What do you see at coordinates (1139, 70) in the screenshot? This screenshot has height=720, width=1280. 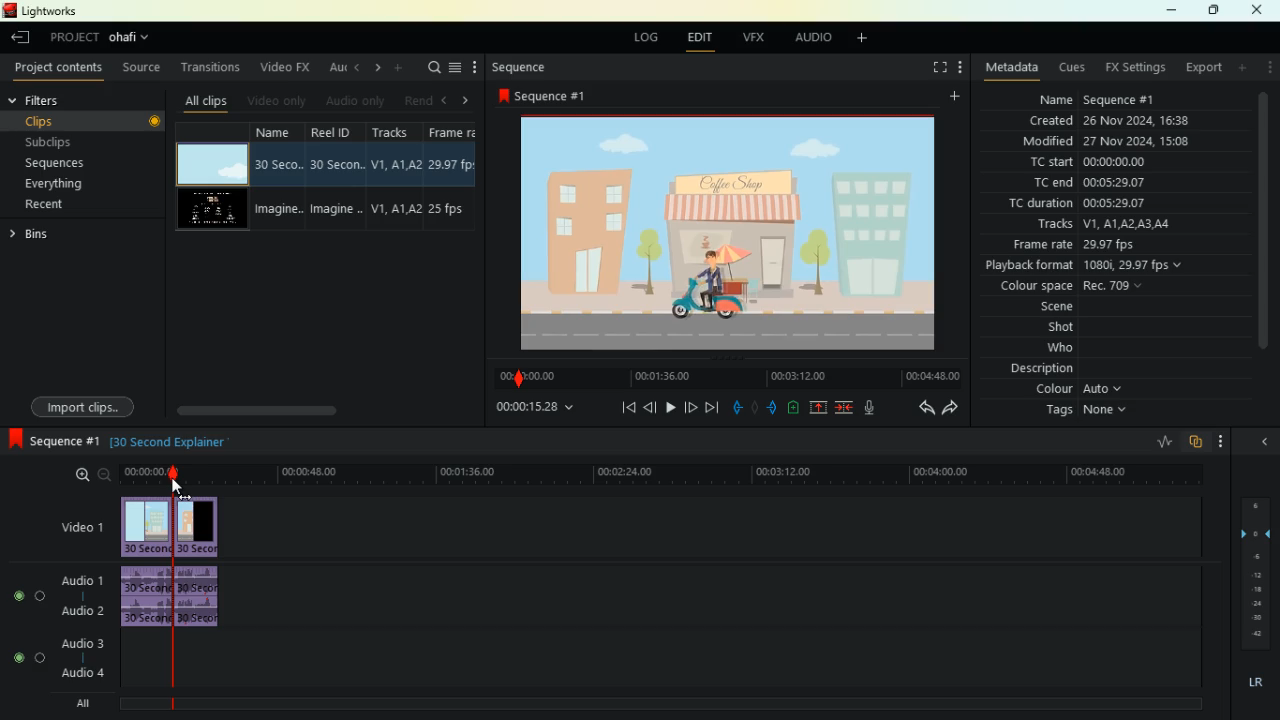 I see `fx setting` at bounding box center [1139, 70].